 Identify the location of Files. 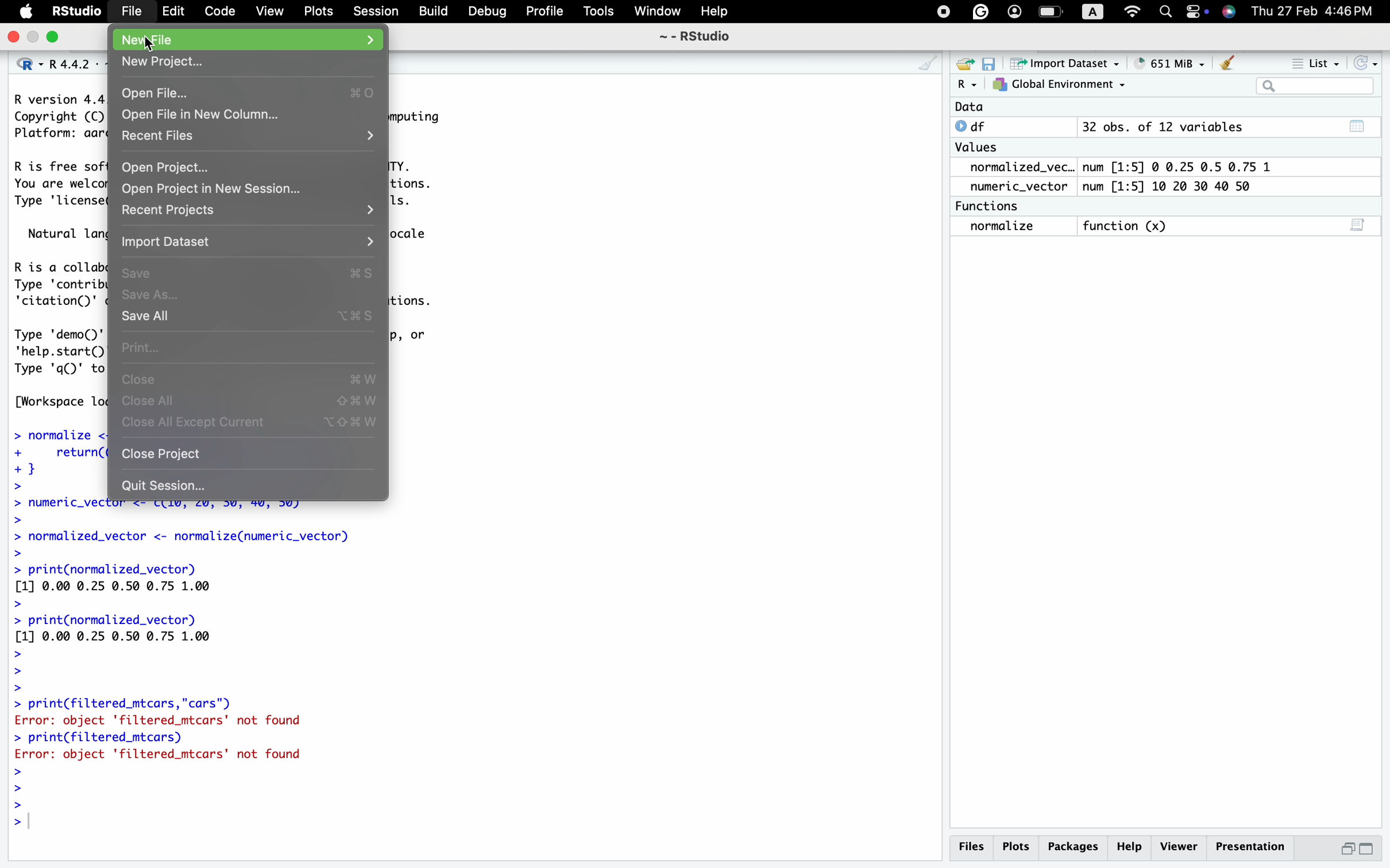
(971, 846).